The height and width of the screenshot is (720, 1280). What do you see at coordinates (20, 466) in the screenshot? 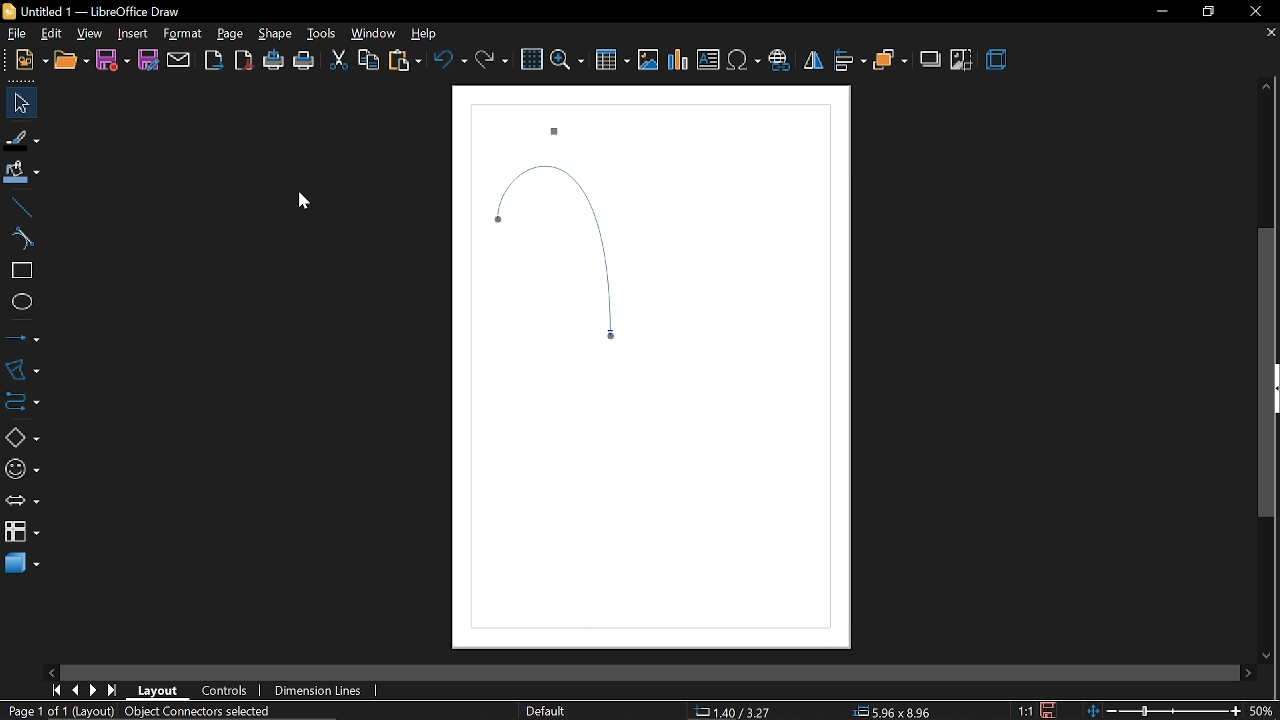
I see `symbol shapes` at bounding box center [20, 466].